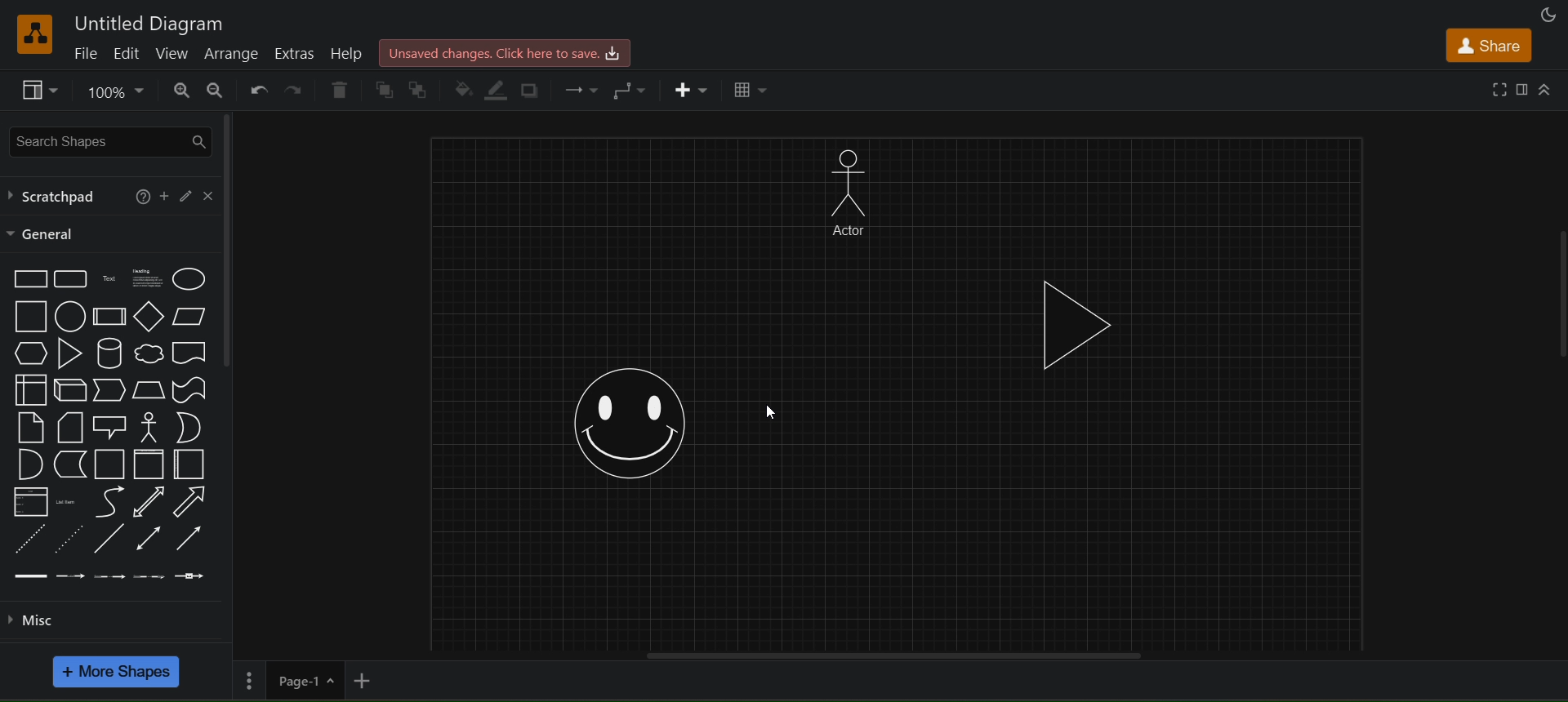 The width and height of the screenshot is (1568, 702). Describe the element at coordinates (773, 411) in the screenshot. I see `cursor` at that location.